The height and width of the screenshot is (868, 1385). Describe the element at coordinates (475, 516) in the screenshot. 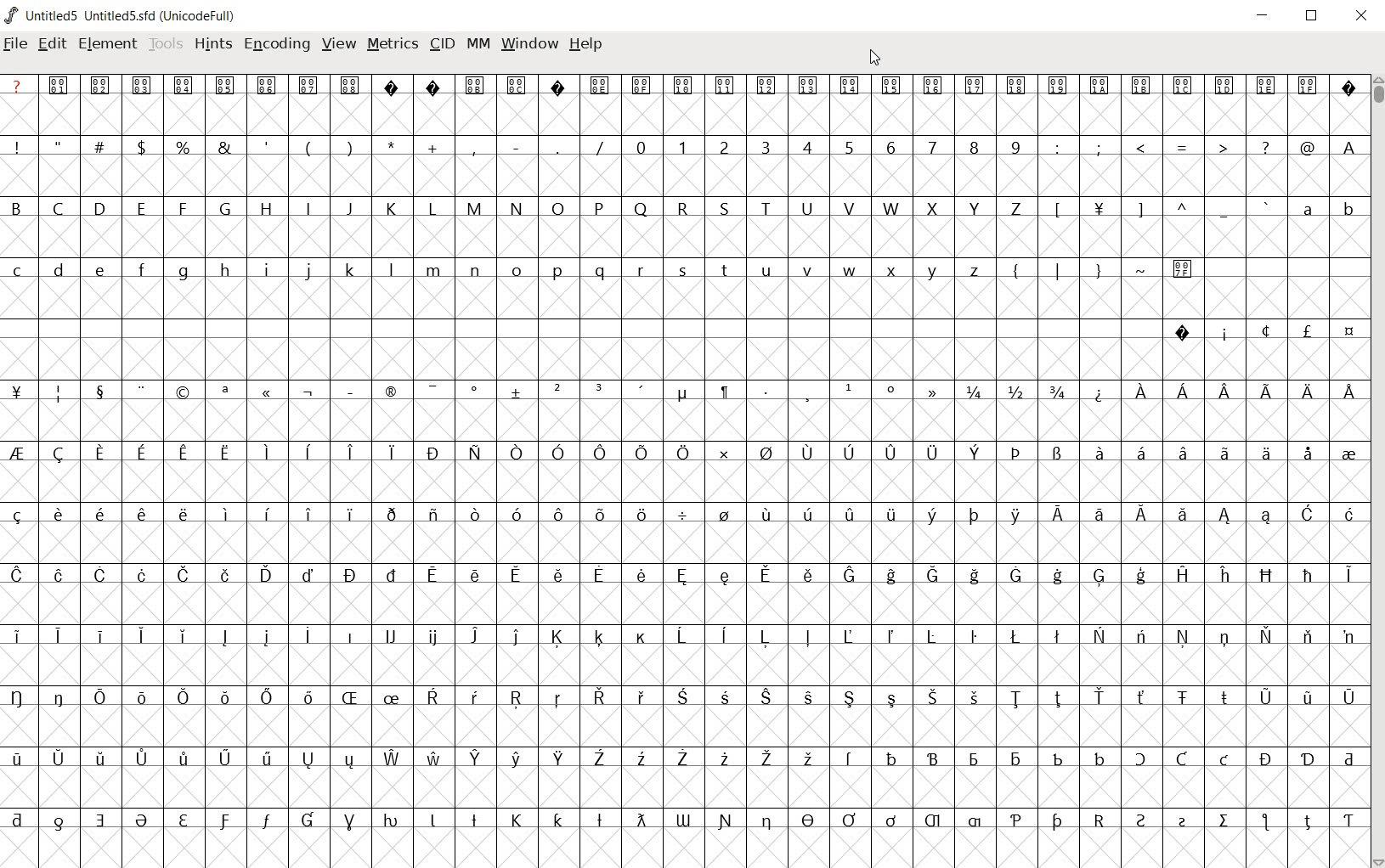

I see `Symbol` at that location.